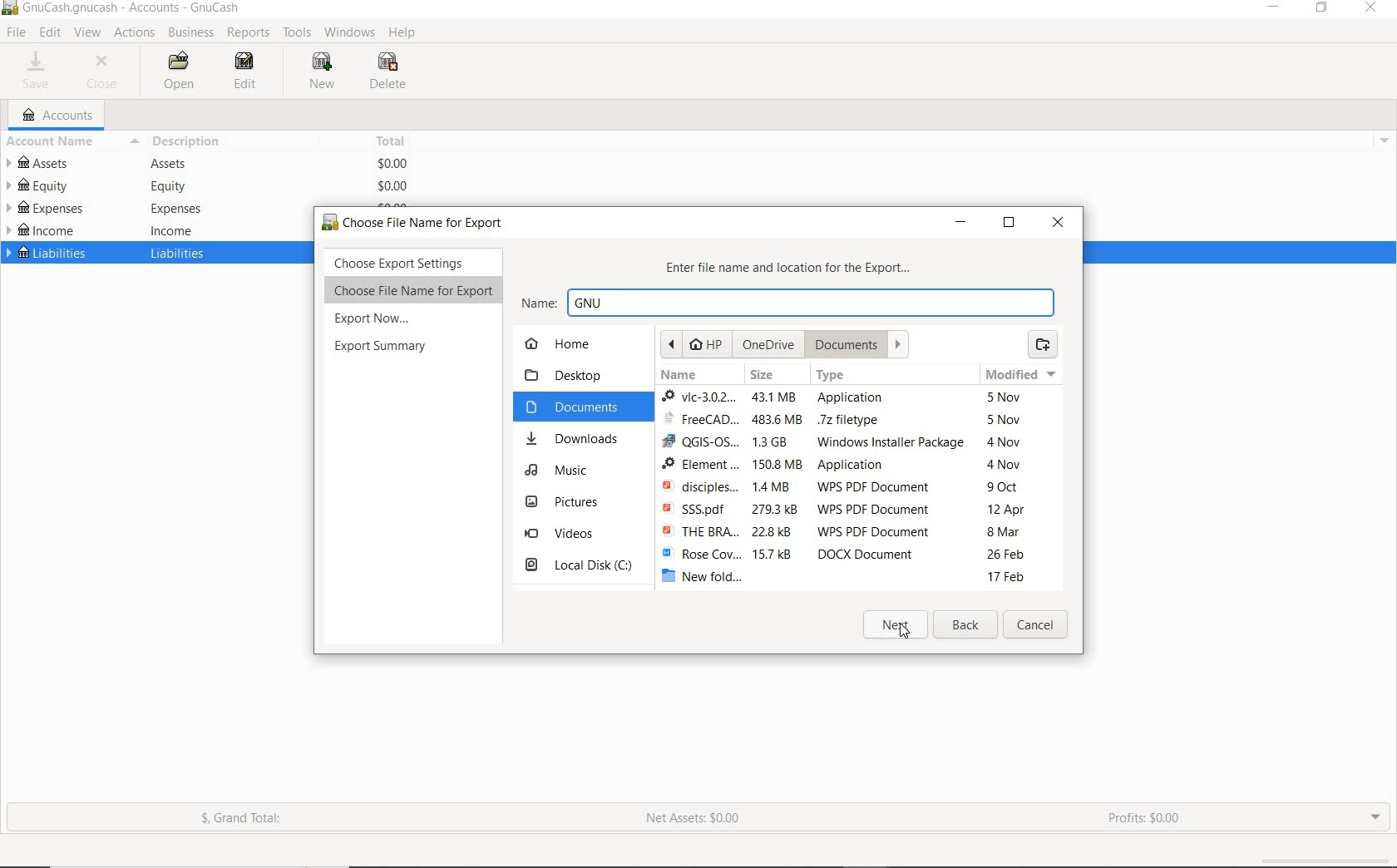 The image size is (1397, 868). Describe the element at coordinates (321, 74) in the screenshot. I see `NEW` at that location.